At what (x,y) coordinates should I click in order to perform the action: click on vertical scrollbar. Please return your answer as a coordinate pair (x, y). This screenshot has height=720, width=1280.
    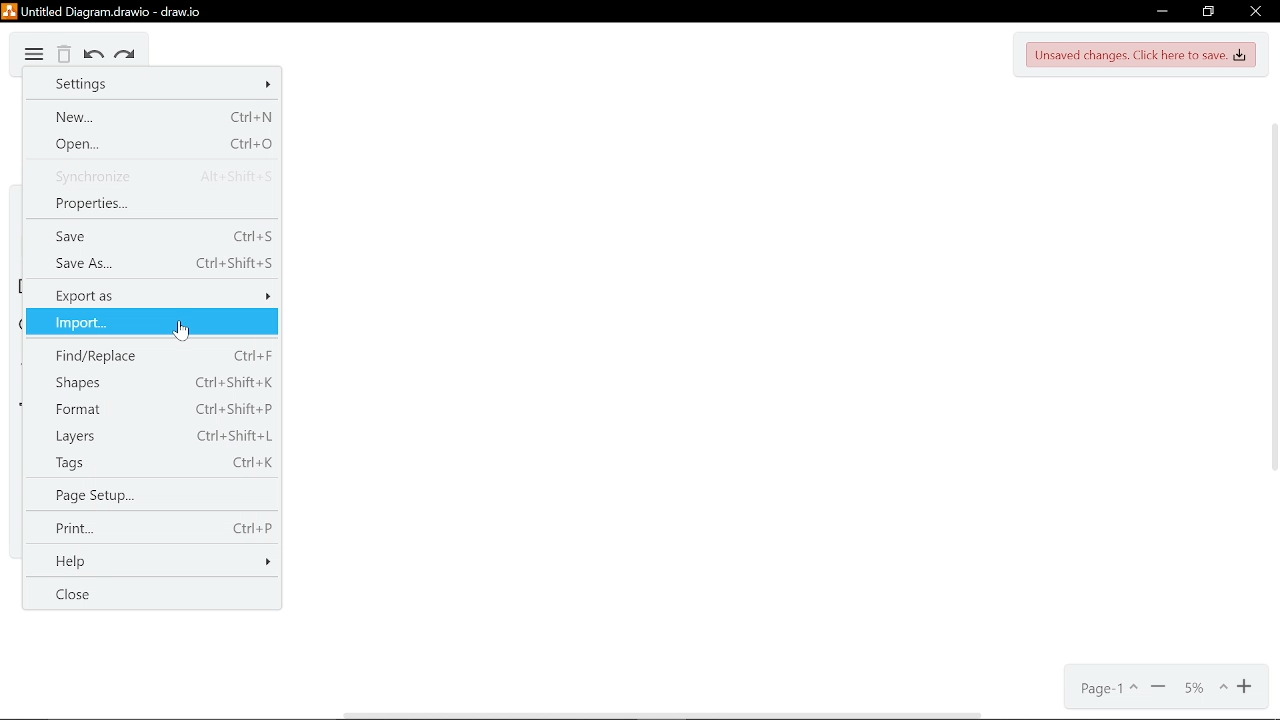
    Looking at the image, I should click on (1272, 295).